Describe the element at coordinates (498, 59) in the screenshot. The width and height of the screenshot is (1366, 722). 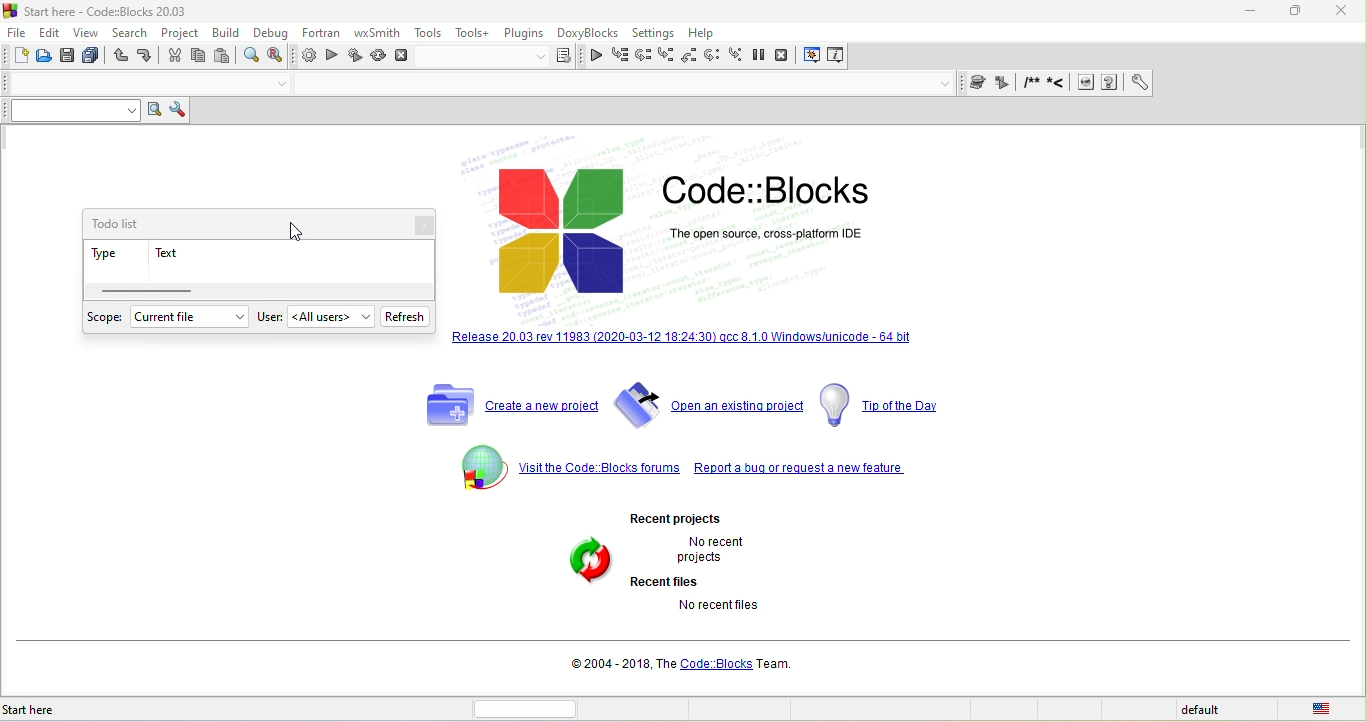
I see `select target dialog` at that location.